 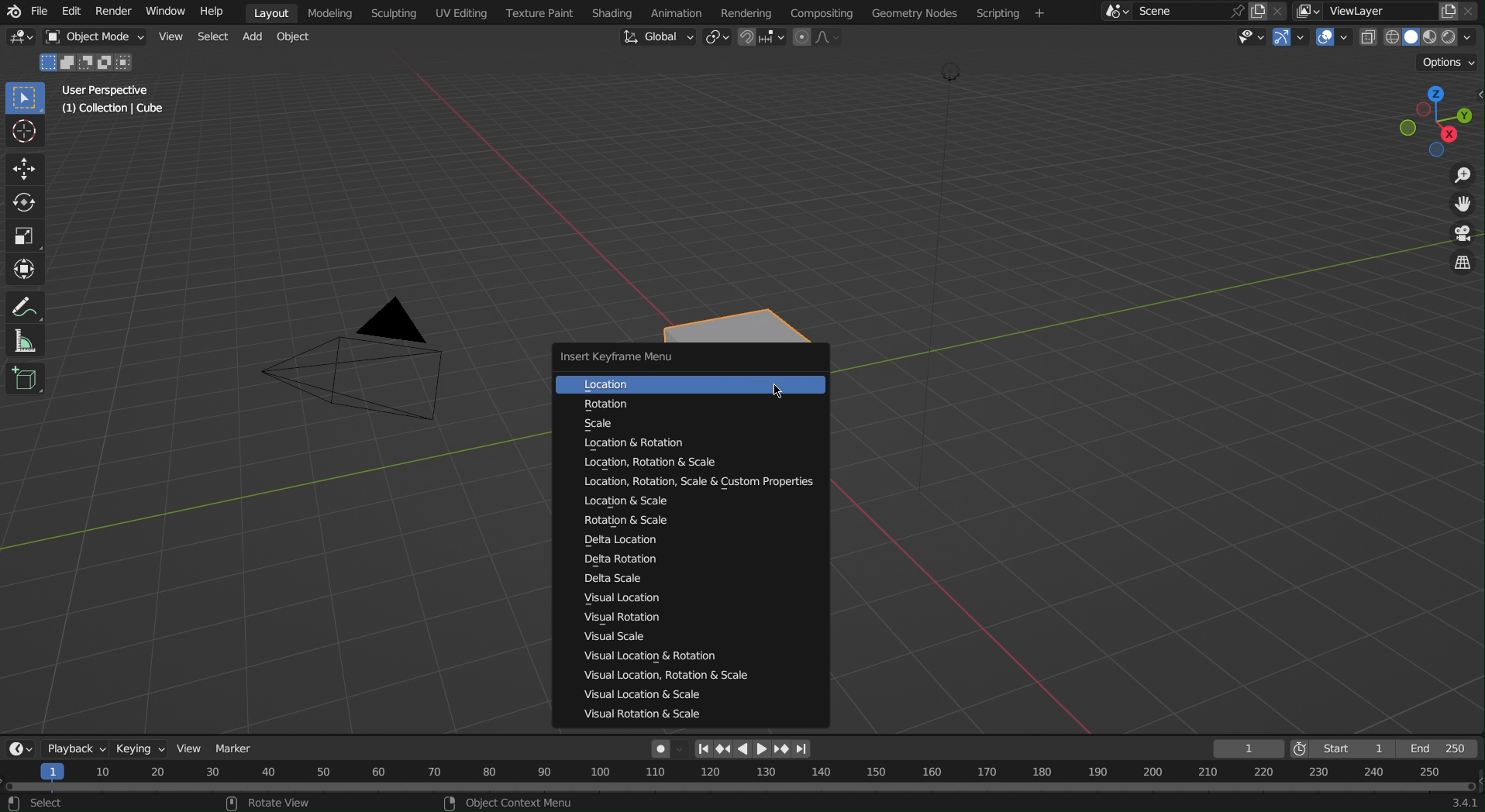 What do you see at coordinates (783, 749) in the screenshot?
I see `next` at bounding box center [783, 749].